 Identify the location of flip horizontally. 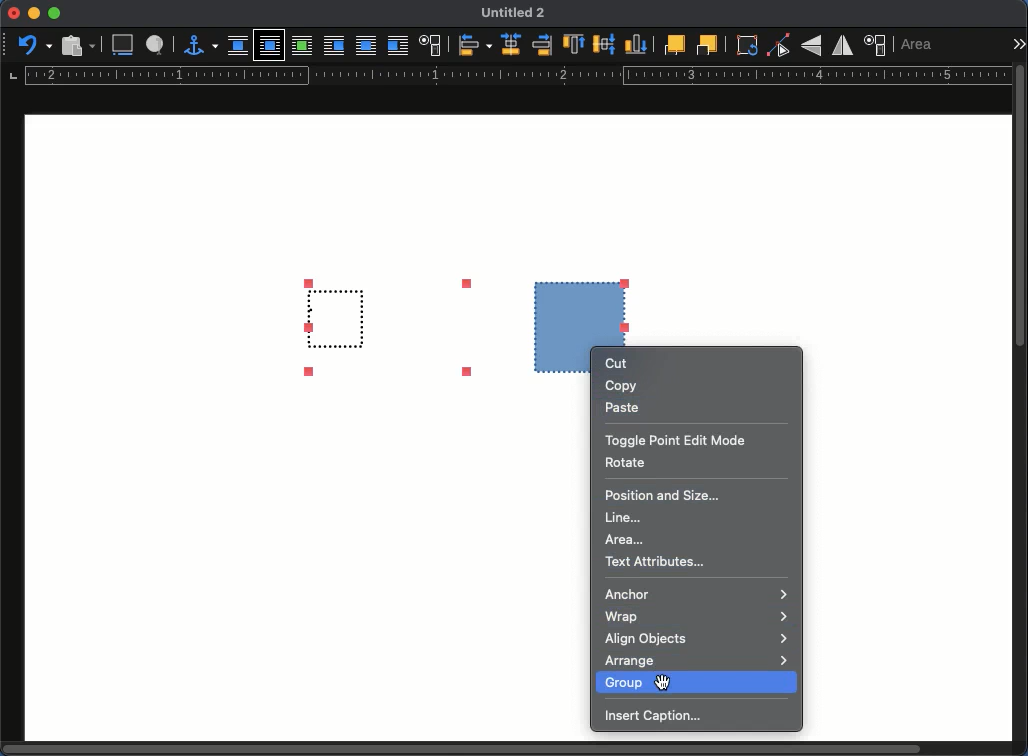
(842, 47).